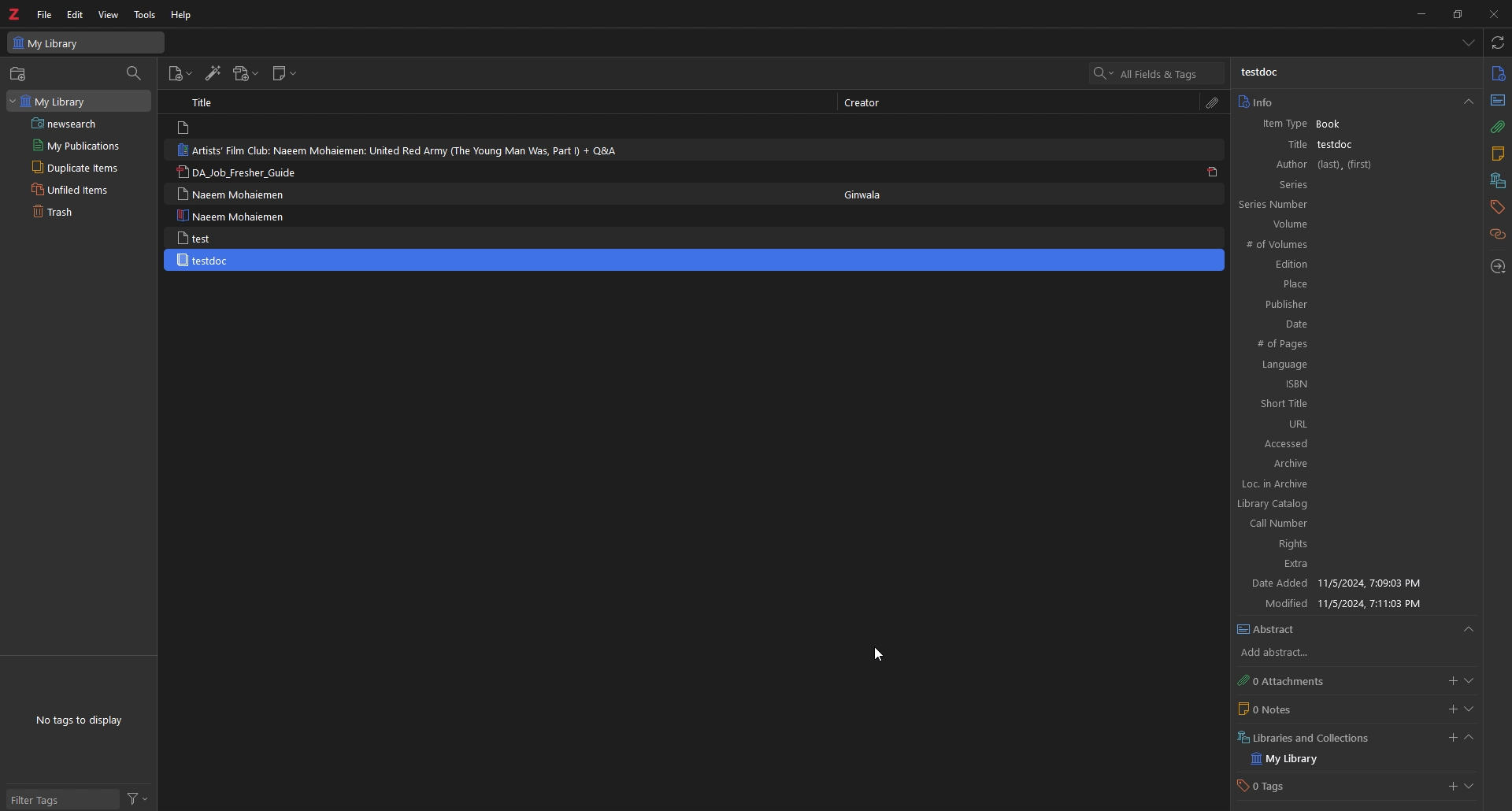 The image size is (1512, 811). I want to click on Loc. in Archive, so click(1345, 484).